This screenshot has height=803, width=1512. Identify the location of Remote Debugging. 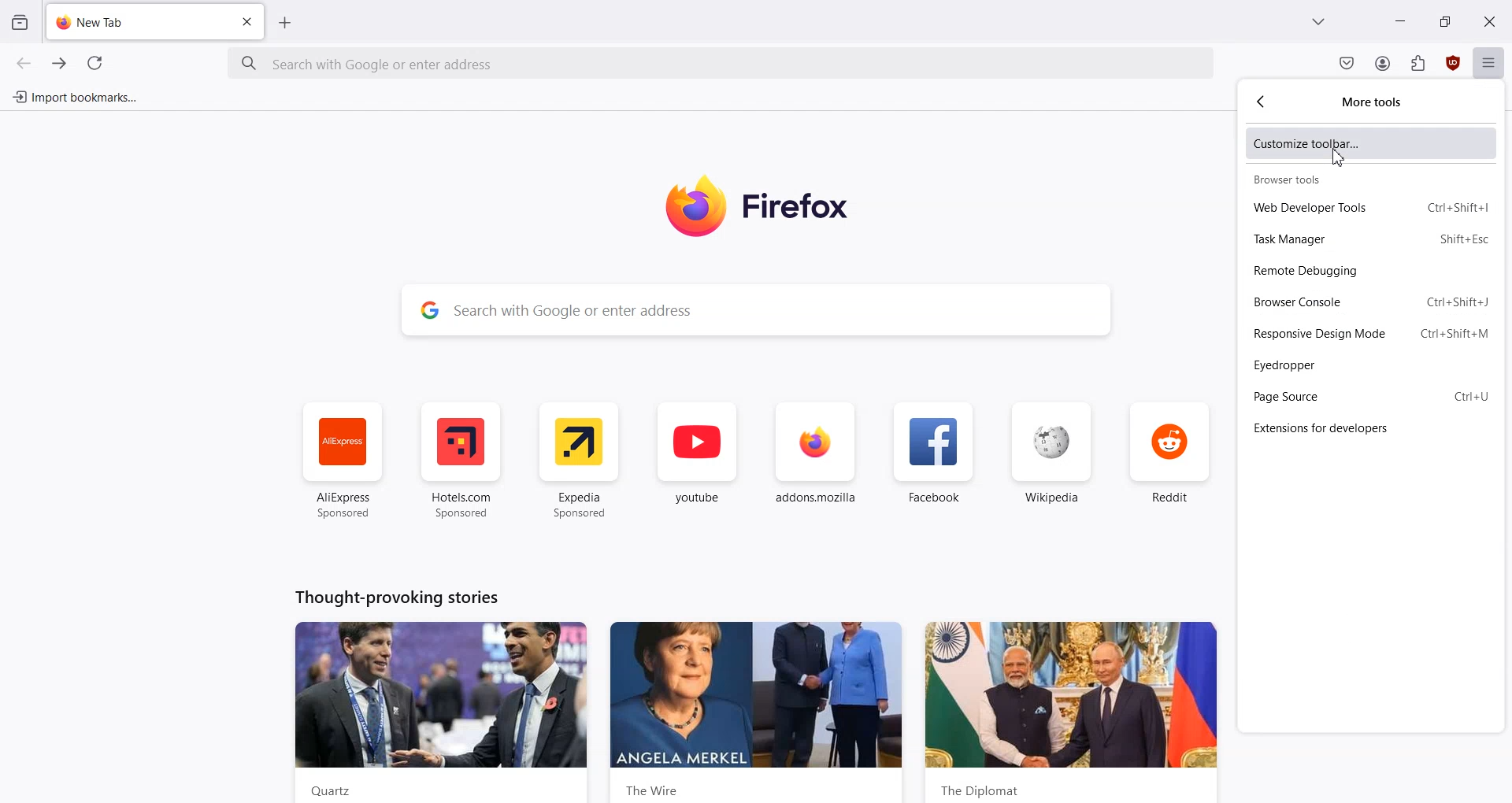
(1335, 272).